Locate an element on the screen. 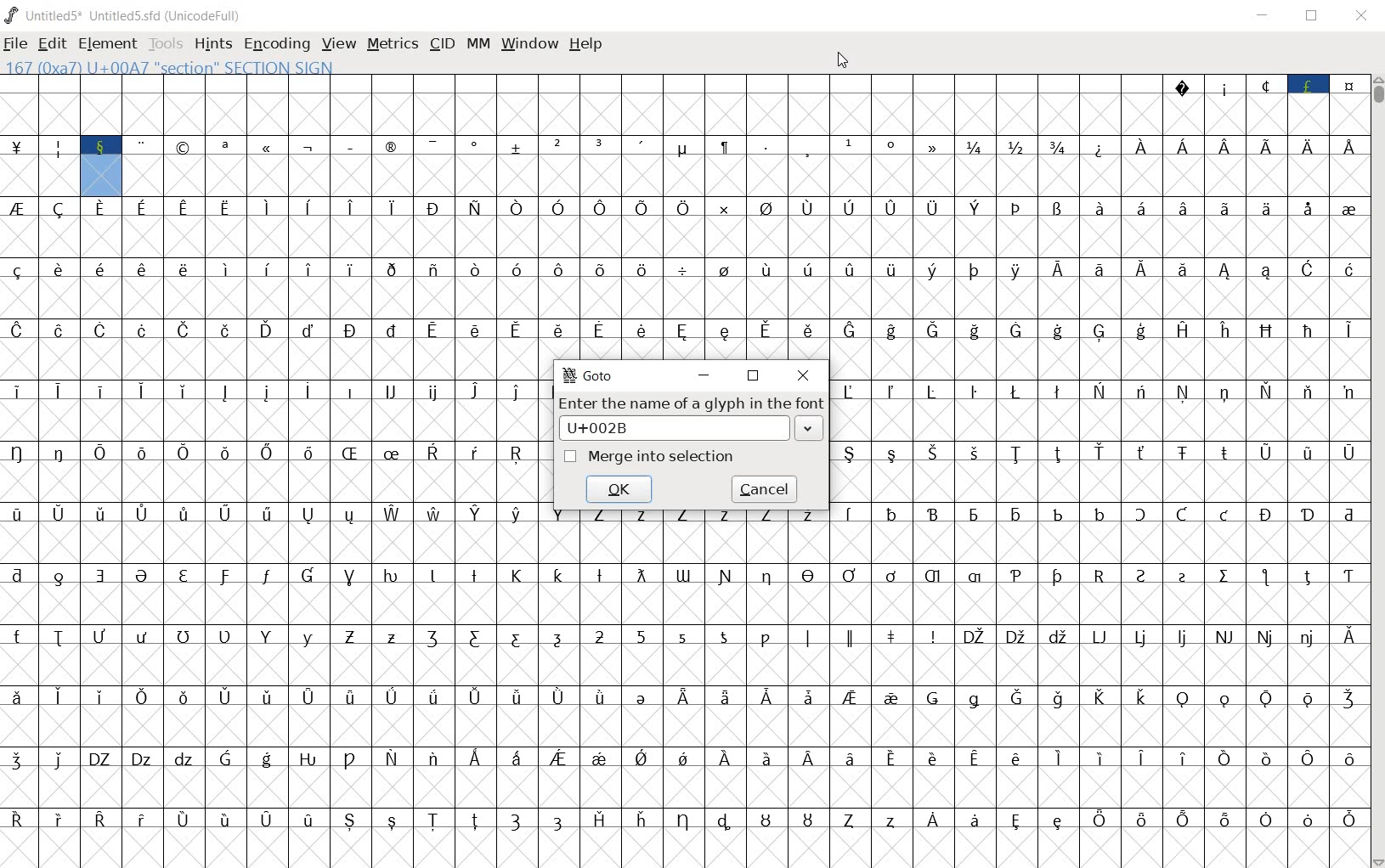  minimize is located at coordinates (1265, 14).